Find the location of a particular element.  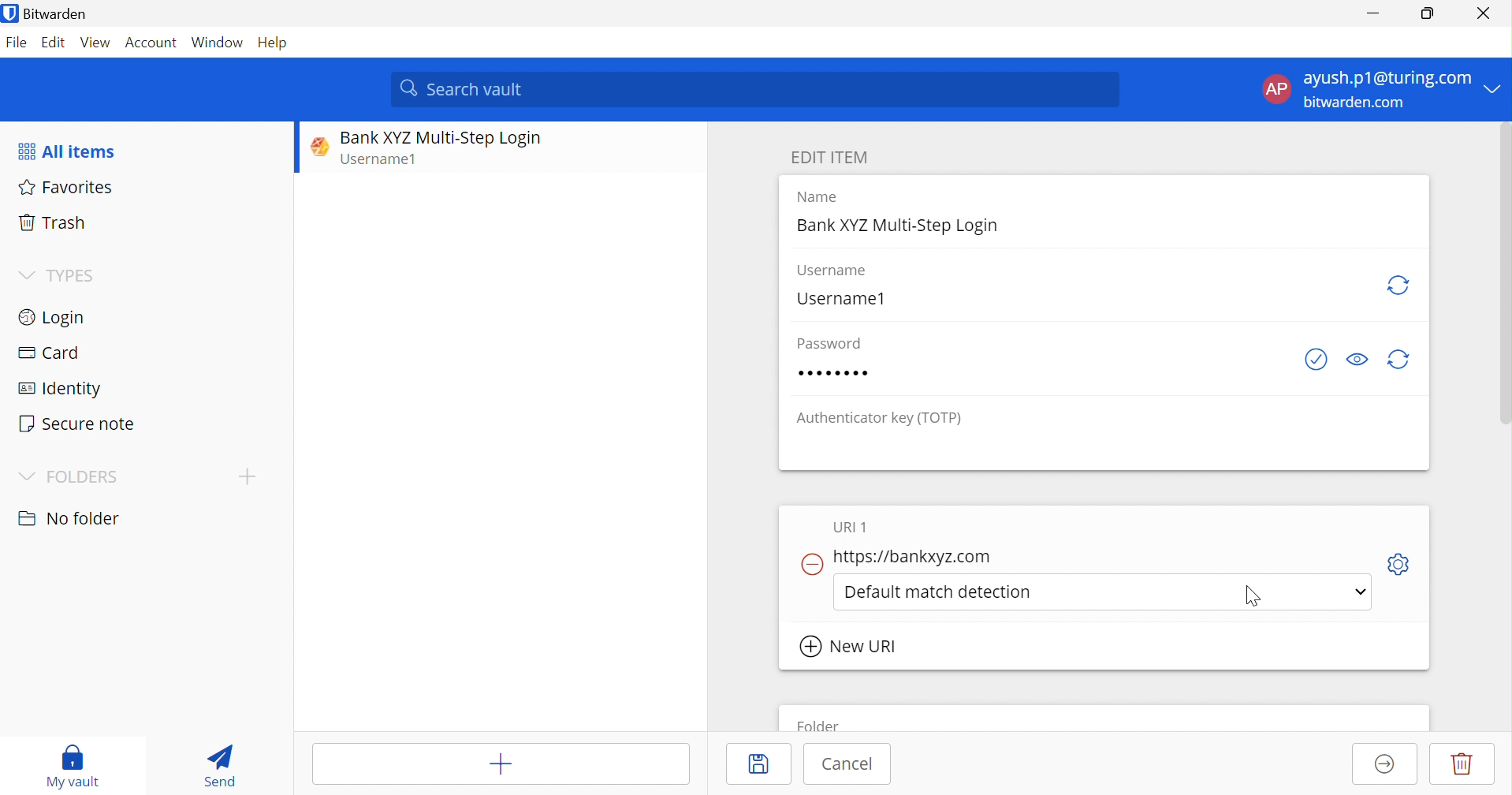

Account is located at coordinates (154, 46).